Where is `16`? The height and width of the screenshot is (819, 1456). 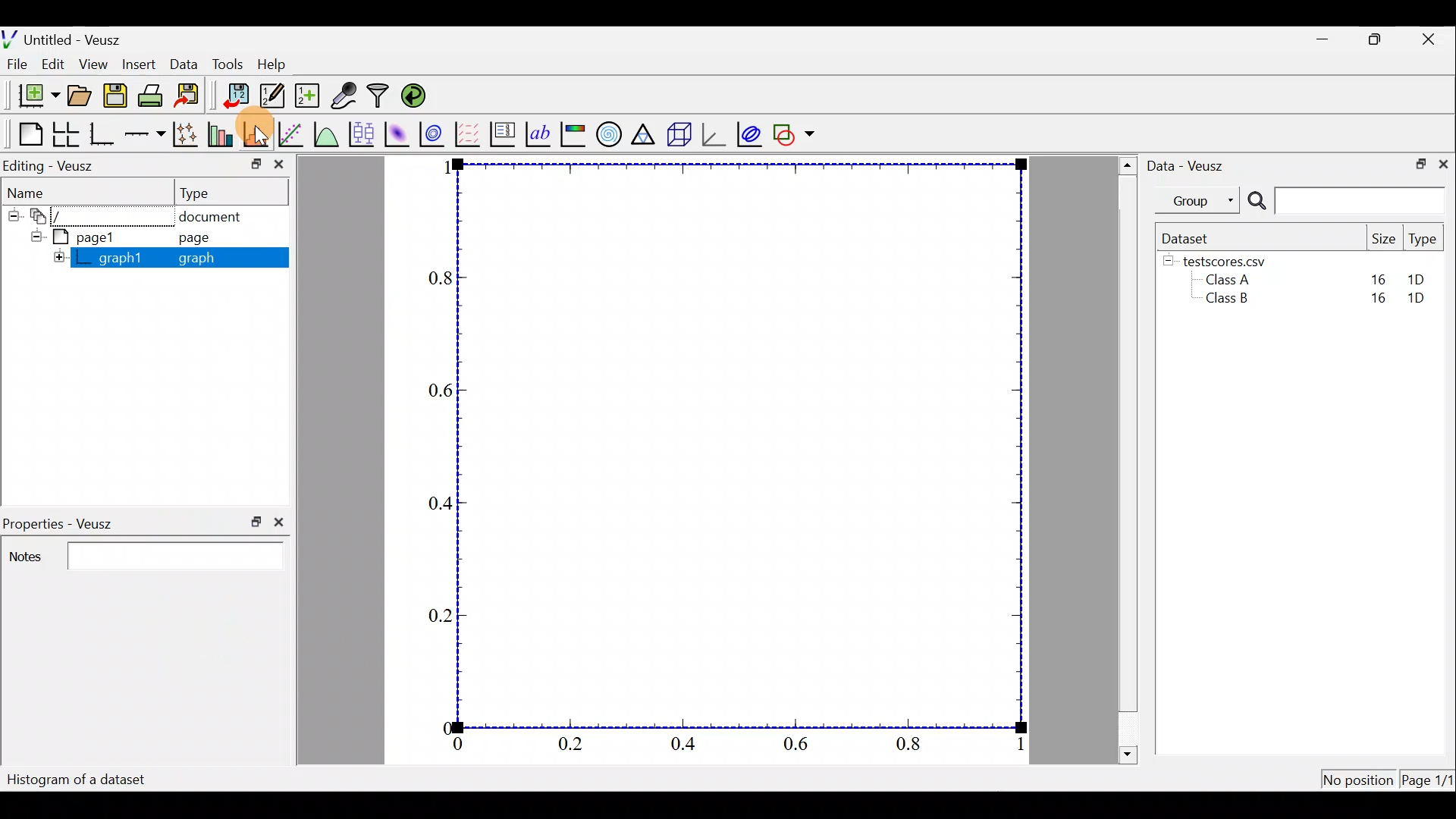 16 is located at coordinates (1378, 278).